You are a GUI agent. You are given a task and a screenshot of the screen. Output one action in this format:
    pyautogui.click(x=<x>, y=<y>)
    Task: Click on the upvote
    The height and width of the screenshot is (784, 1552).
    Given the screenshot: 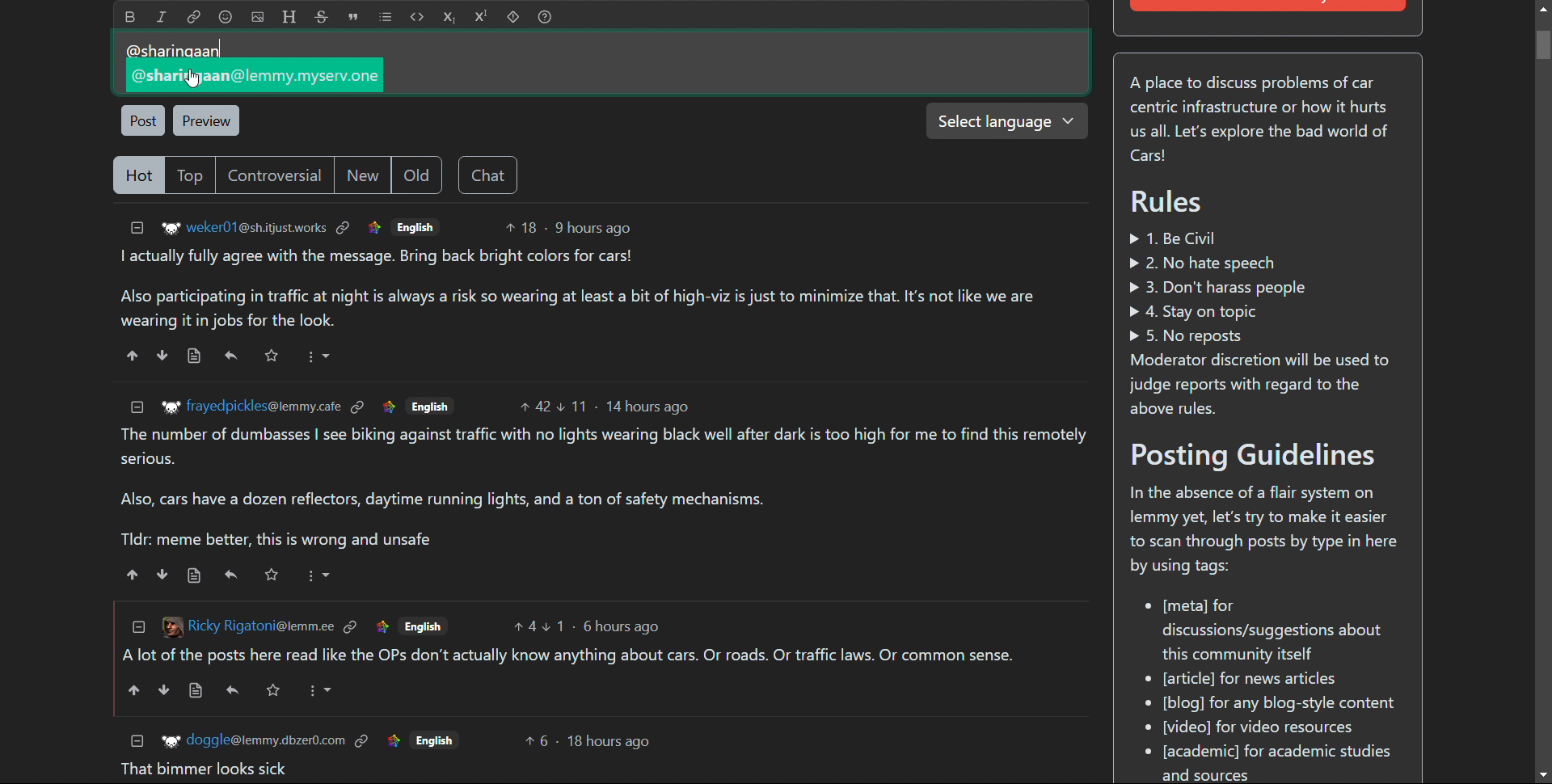 What is the action you would take?
    pyautogui.click(x=133, y=575)
    